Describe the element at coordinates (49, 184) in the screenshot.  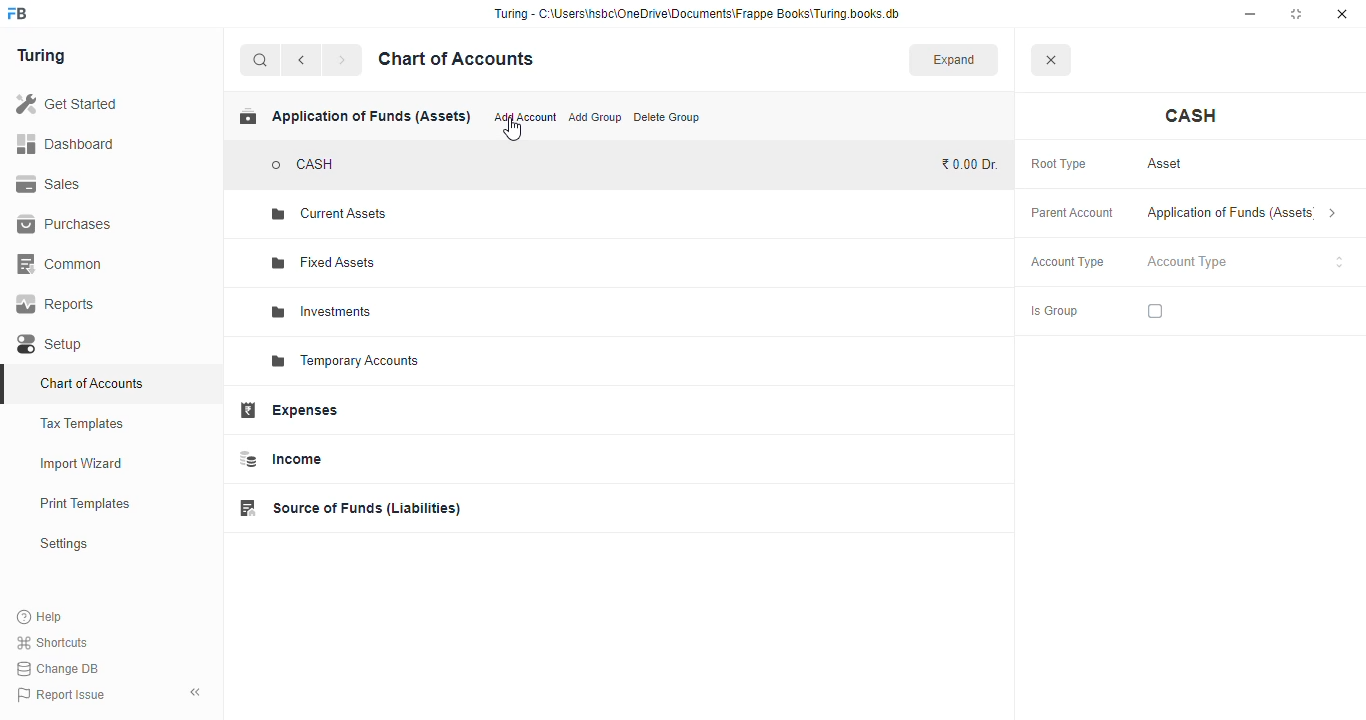
I see `sales` at that location.